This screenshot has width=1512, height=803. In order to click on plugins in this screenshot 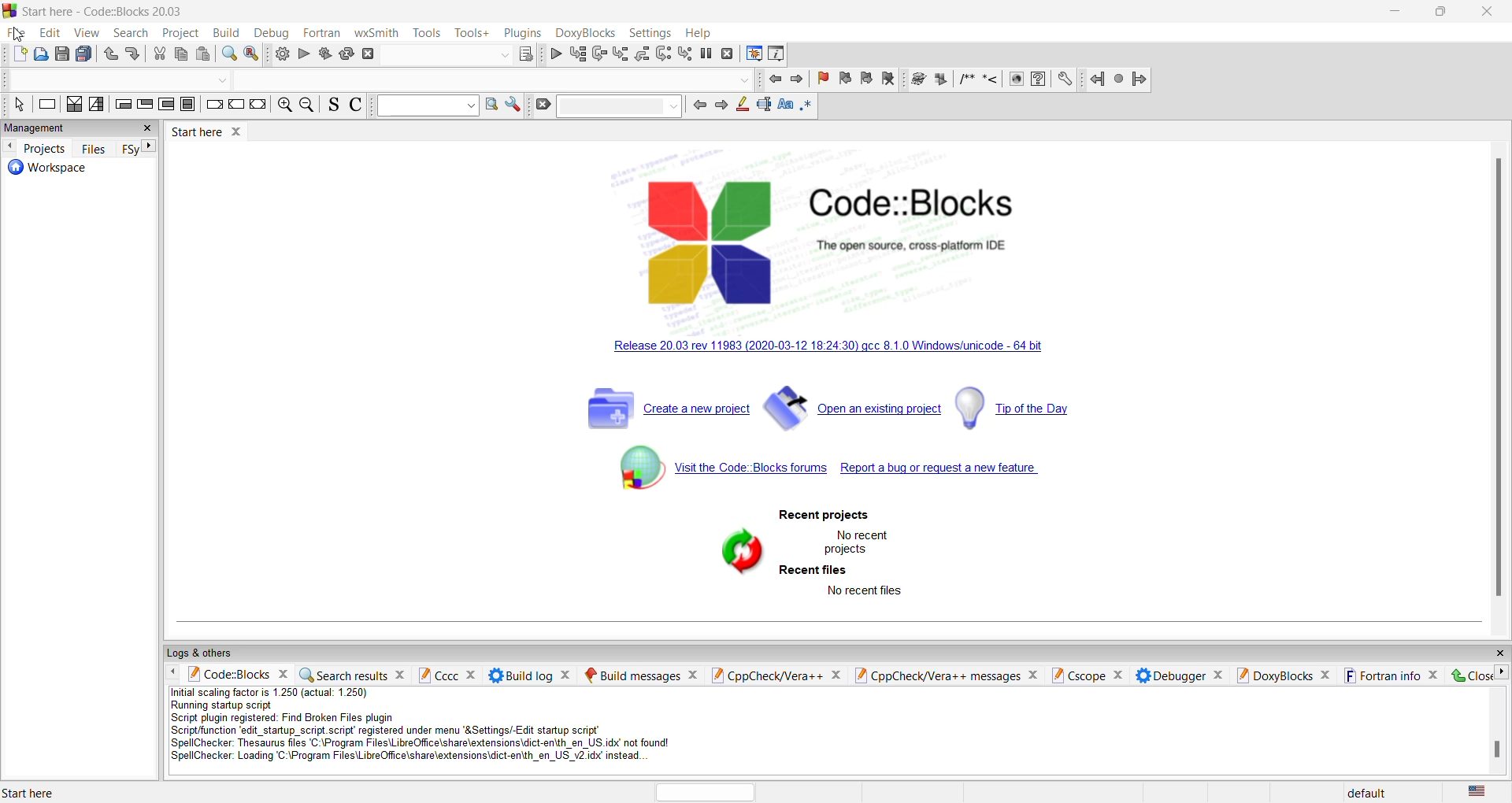, I will do `click(521, 32)`.